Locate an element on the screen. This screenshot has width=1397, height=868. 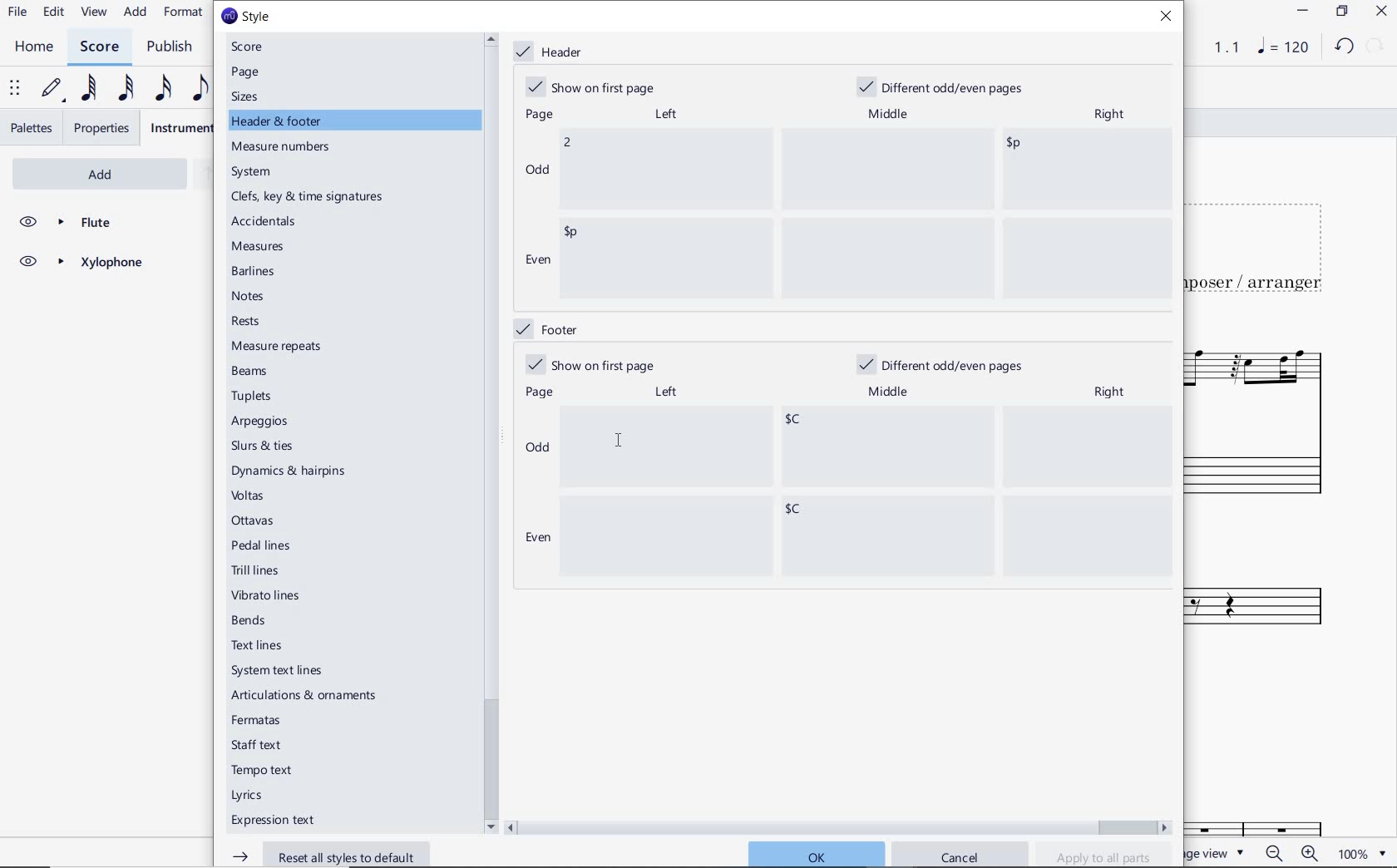
tempo text is located at coordinates (264, 772).